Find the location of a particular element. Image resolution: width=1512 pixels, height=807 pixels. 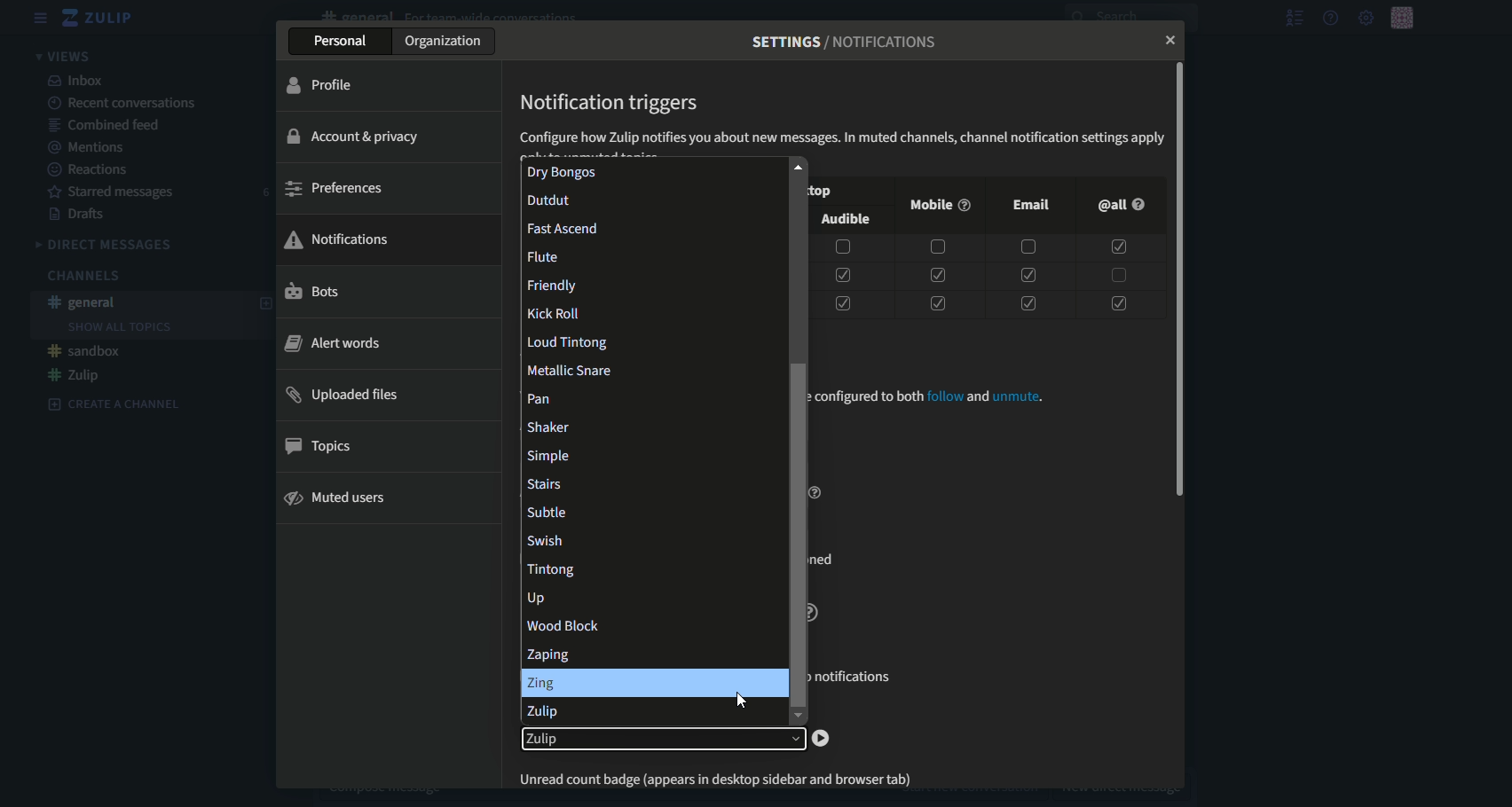

checkbox is located at coordinates (1117, 275).